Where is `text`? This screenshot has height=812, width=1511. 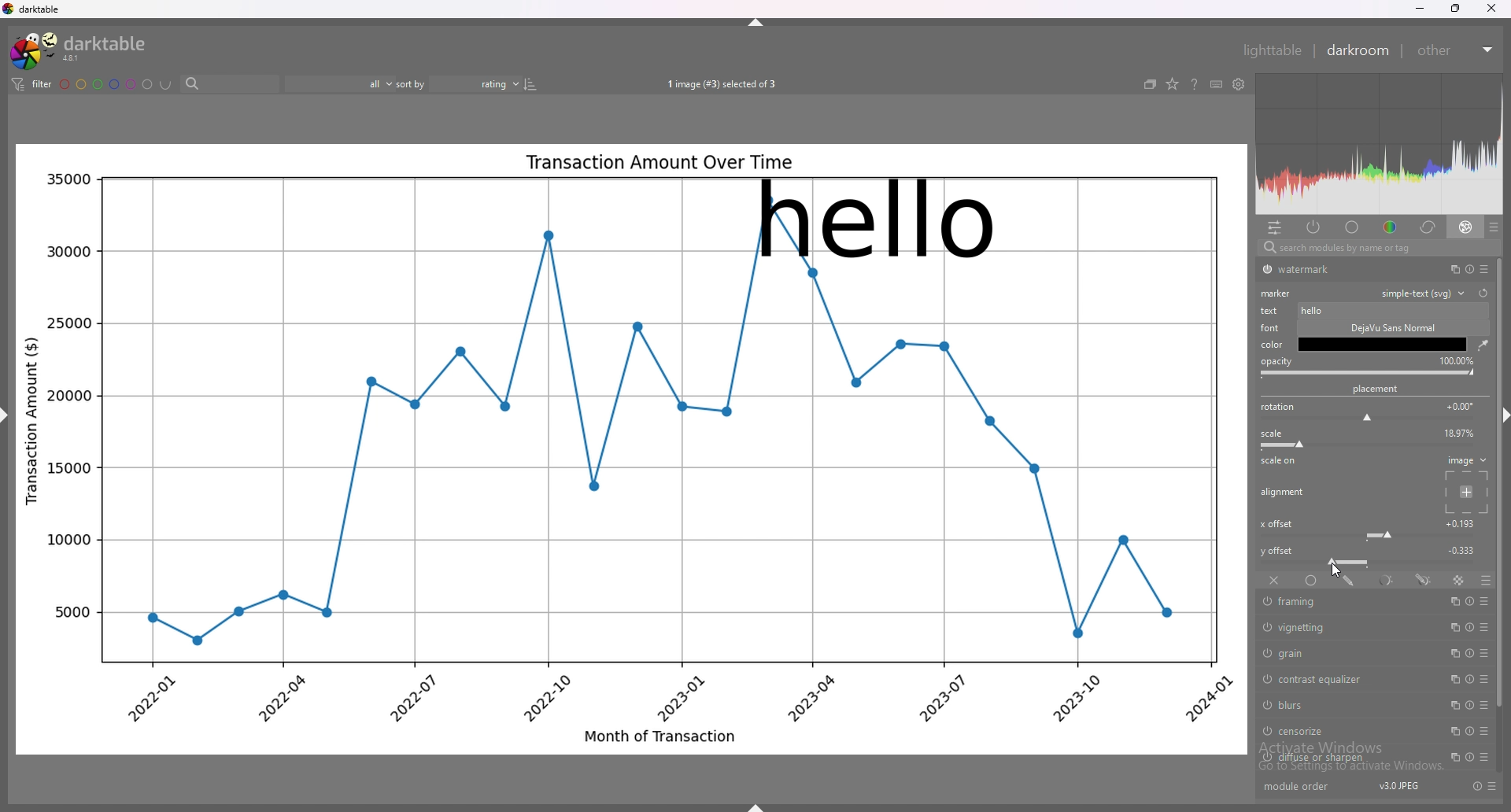 text is located at coordinates (1272, 311).